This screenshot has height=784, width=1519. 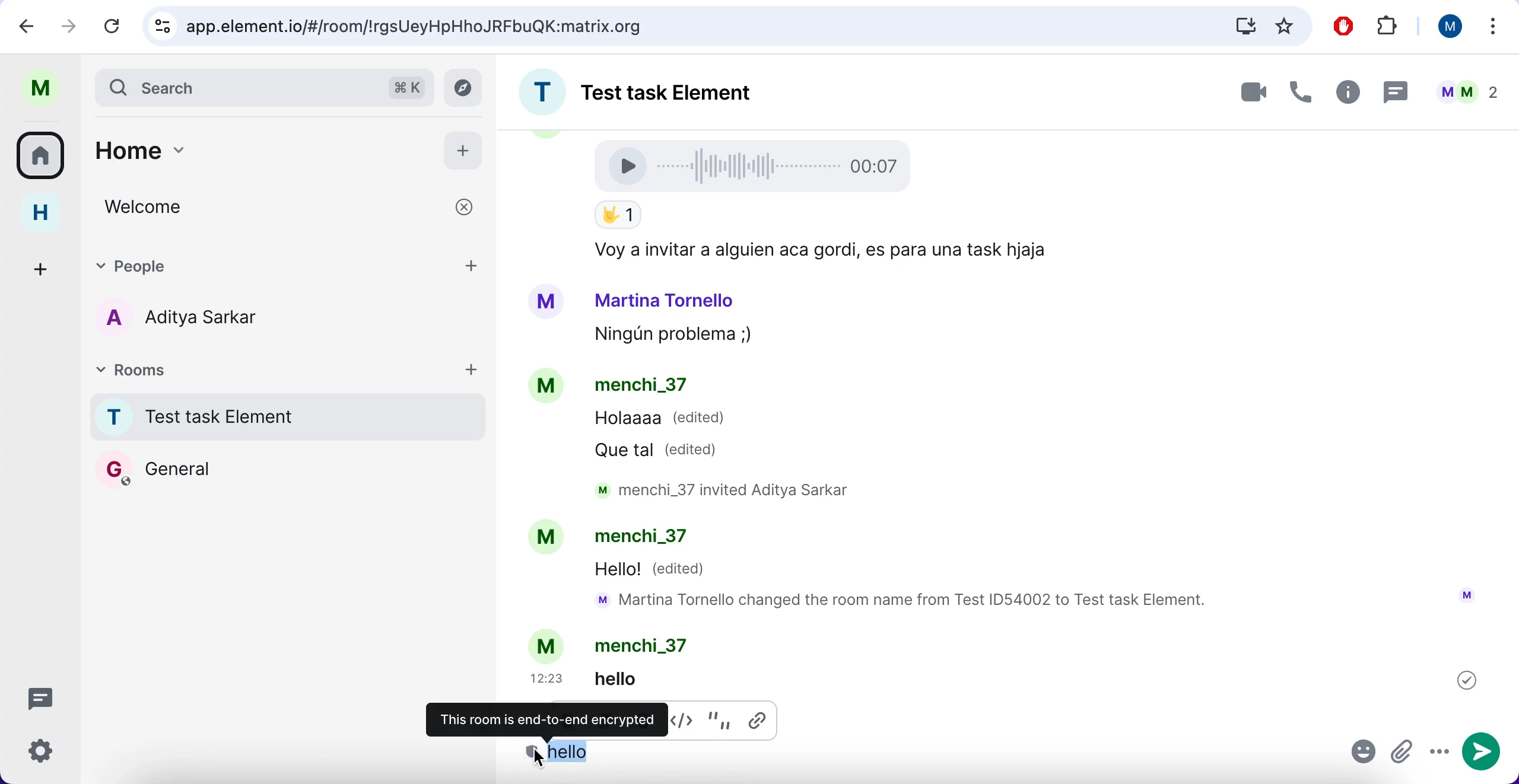 What do you see at coordinates (549, 678) in the screenshot?
I see `12:23` at bounding box center [549, 678].